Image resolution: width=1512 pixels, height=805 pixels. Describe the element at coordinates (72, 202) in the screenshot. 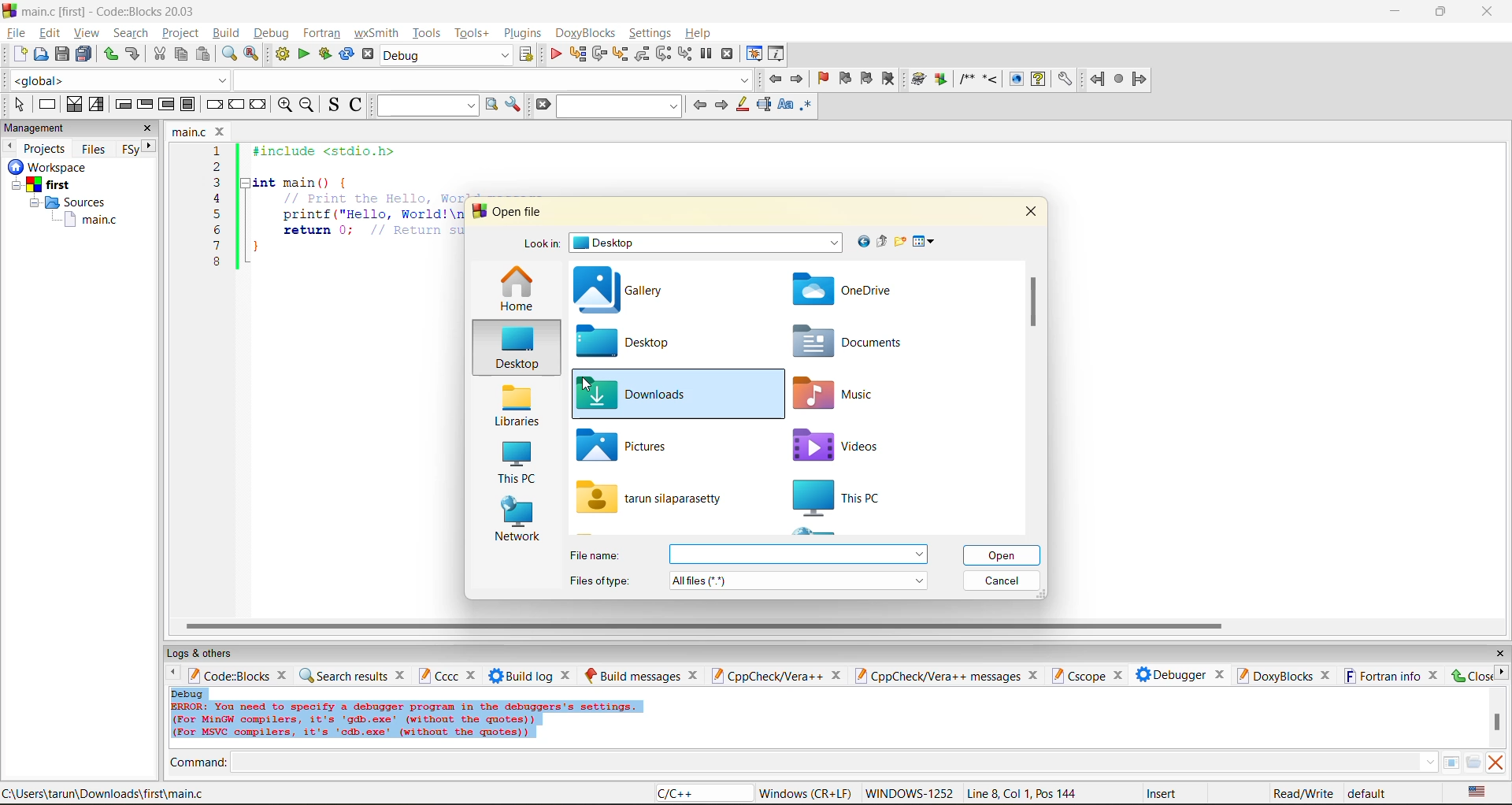

I see `Sources` at that location.